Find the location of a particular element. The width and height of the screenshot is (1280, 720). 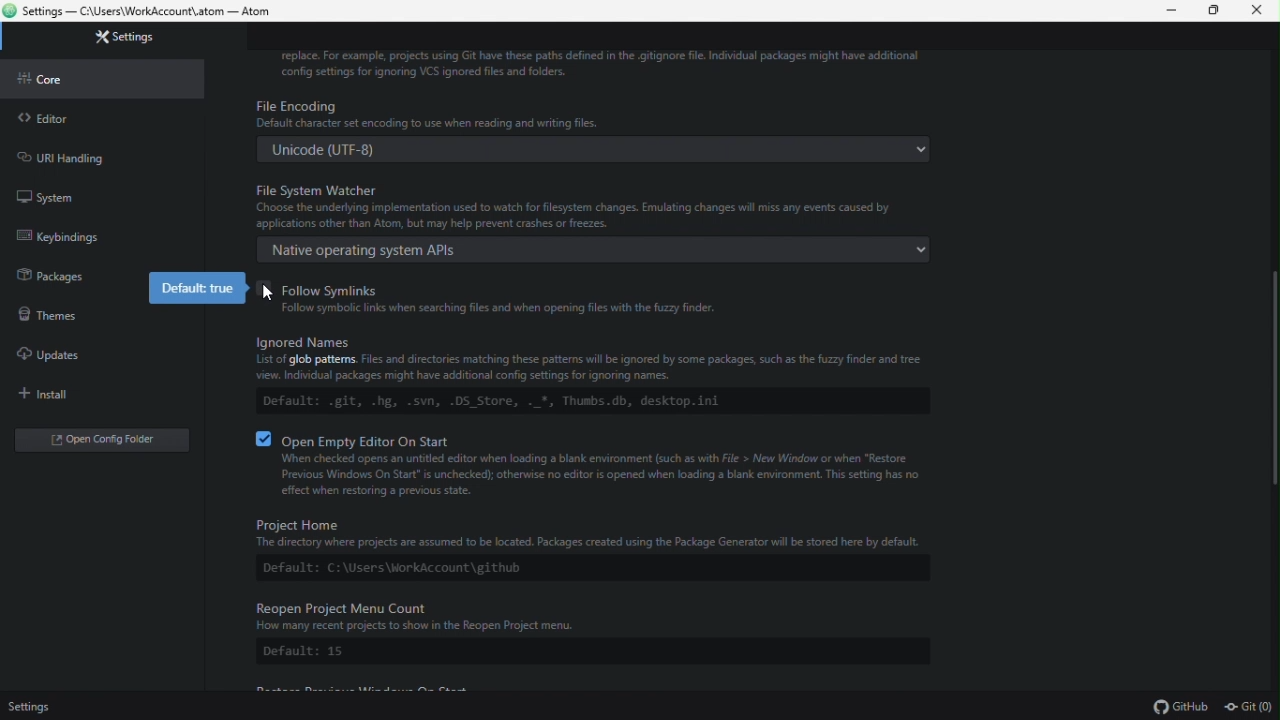

File name and file path is located at coordinates (142, 12).